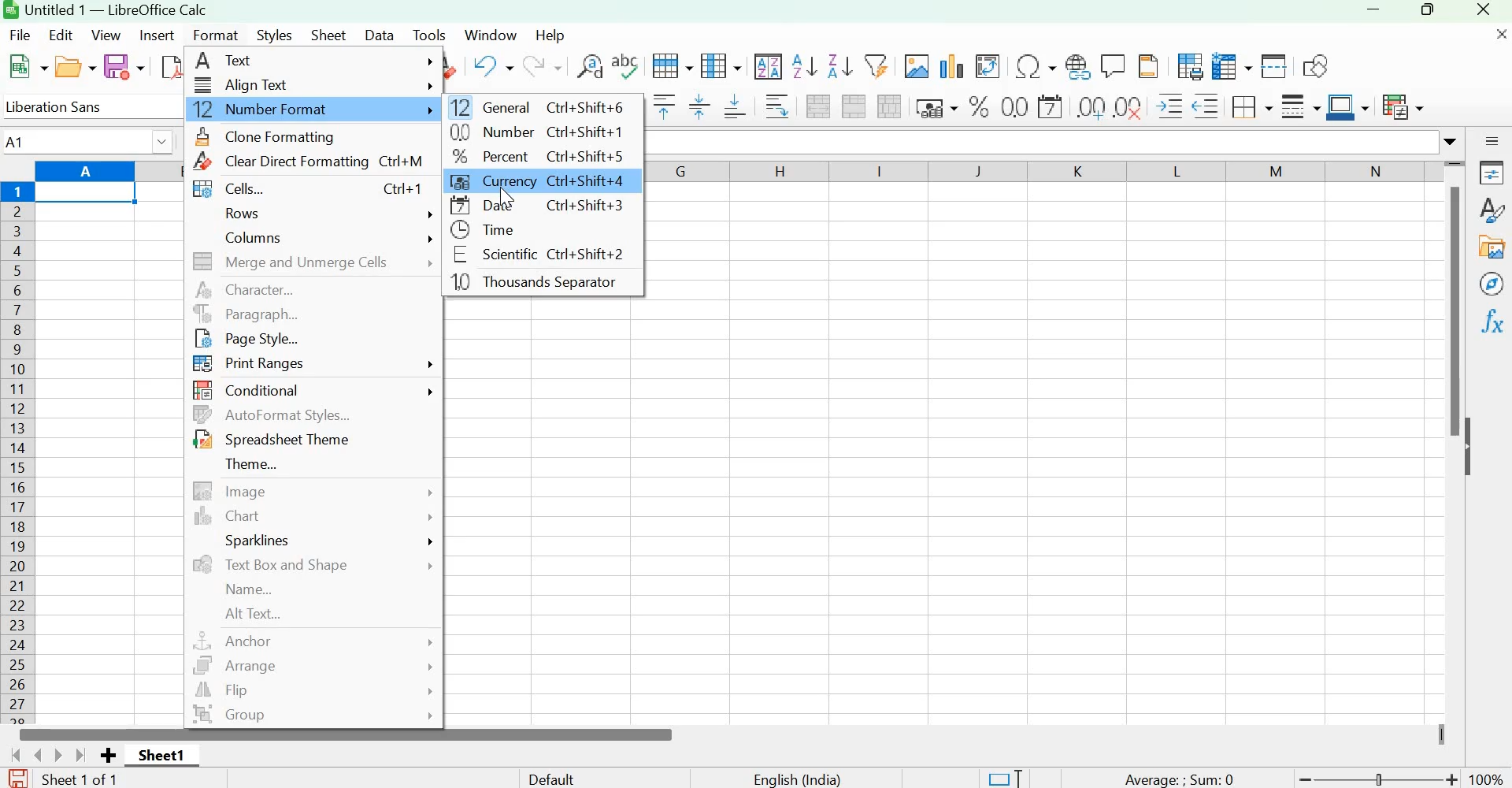 Image resolution: width=1512 pixels, height=788 pixels. What do you see at coordinates (1347, 107) in the screenshot?
I see `Border color` at bounding box center [1347, 107].